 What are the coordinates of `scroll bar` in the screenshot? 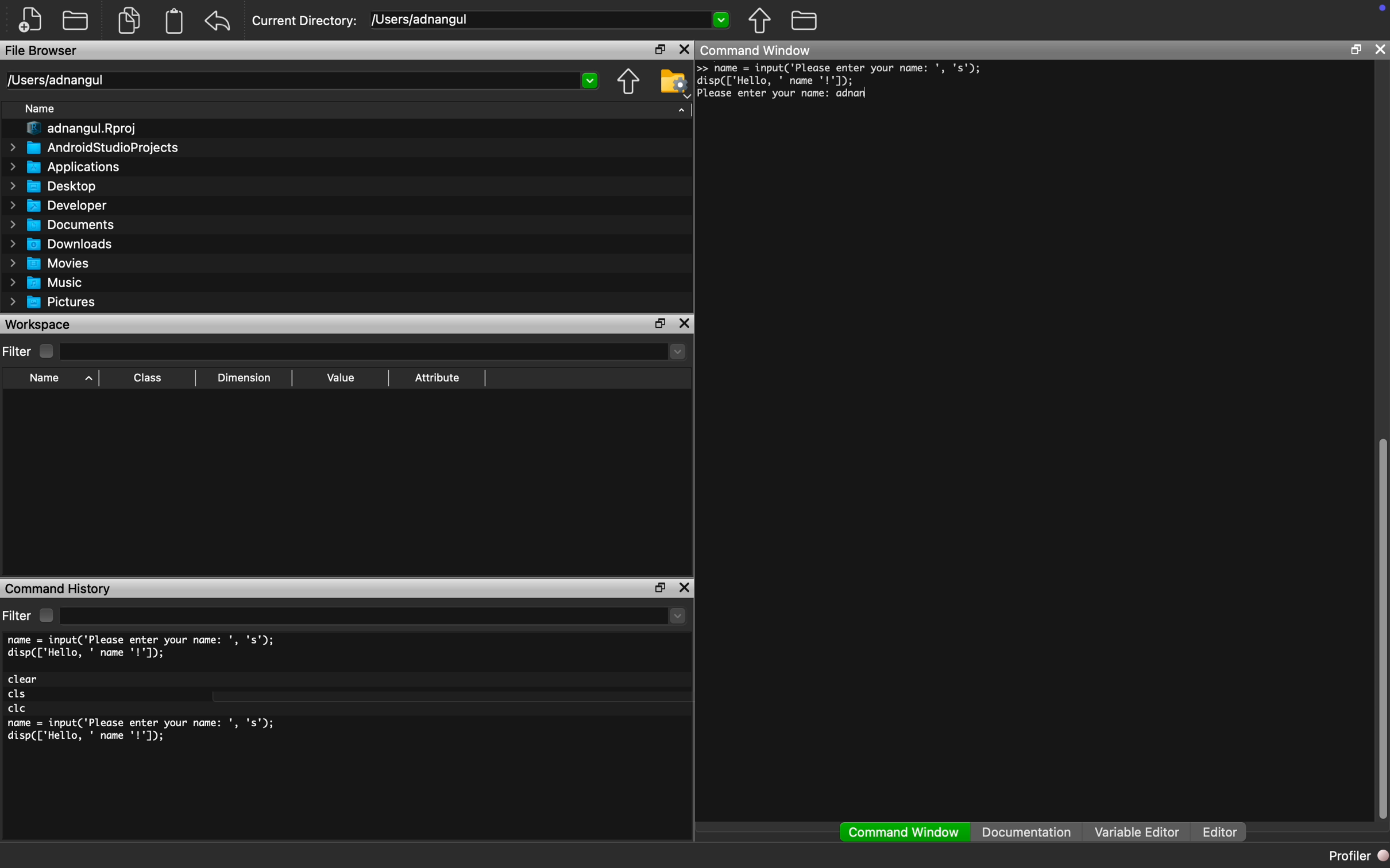 It's located at (1381, 625).